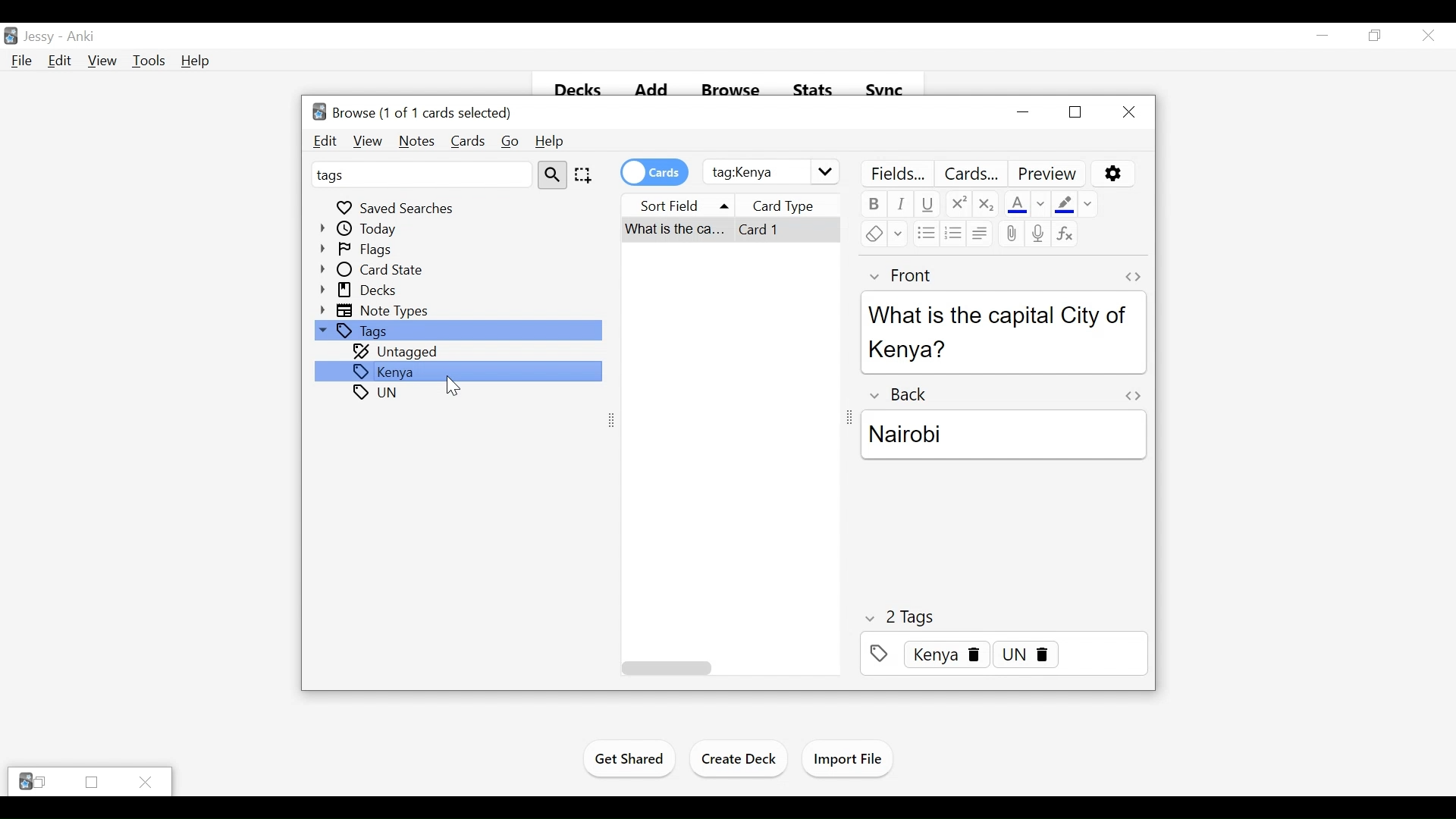 The image size is (1456, 819). What do you see at coordinates (19, 61) in the screenshot?
I see `File` at bounding box center [19, 61].